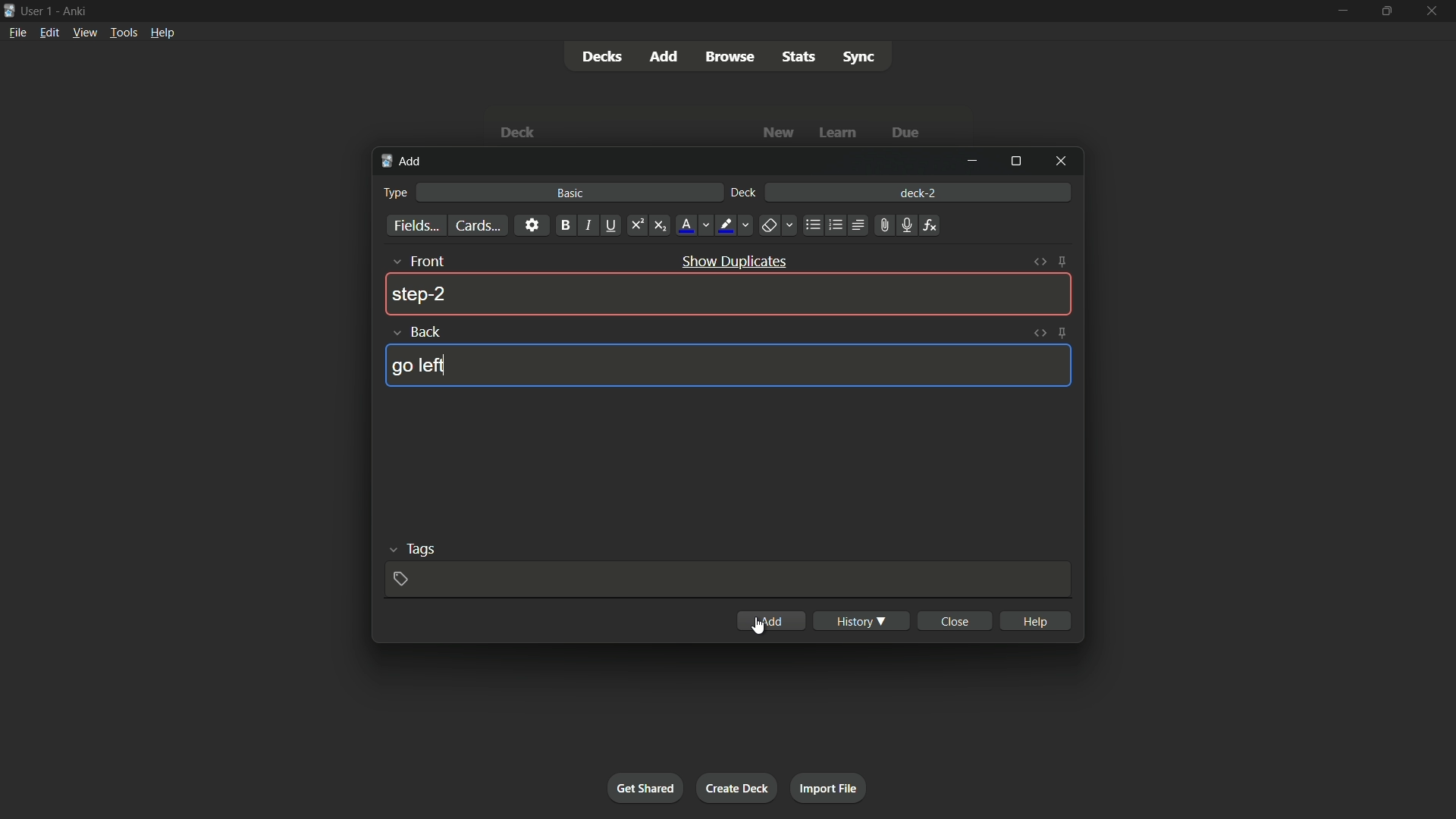 Image resolution: width=1456 pixels, height=819 pixels. What do you see at coordinates (420, 295) in the screenshot?
I see `step-2` at bounding box center [420, 295].